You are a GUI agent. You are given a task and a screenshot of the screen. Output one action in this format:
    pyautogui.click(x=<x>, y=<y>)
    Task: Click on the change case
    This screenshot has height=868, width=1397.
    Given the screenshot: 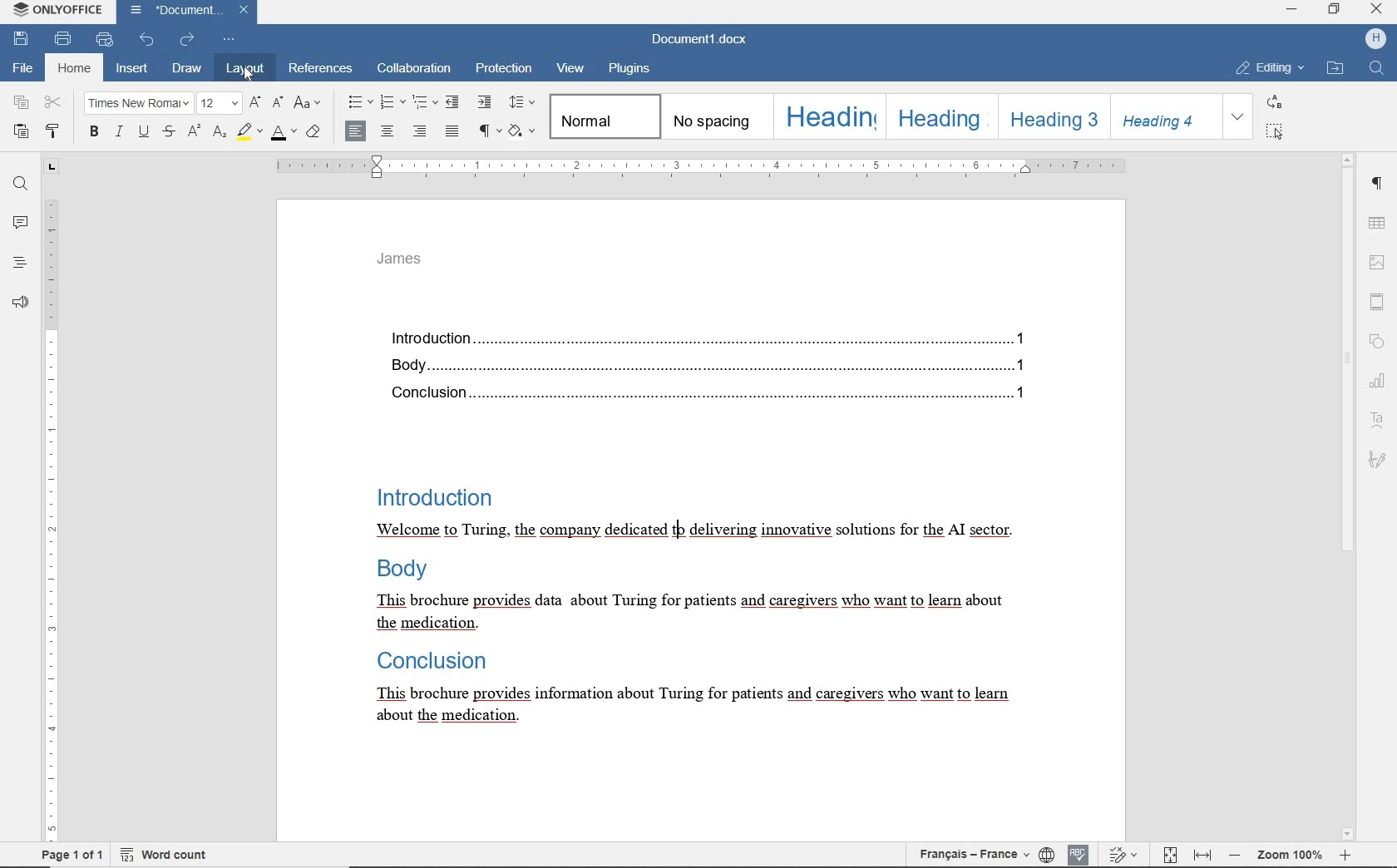 What is the action you would take?
    pyautogui.click(x=309, y=102)
    